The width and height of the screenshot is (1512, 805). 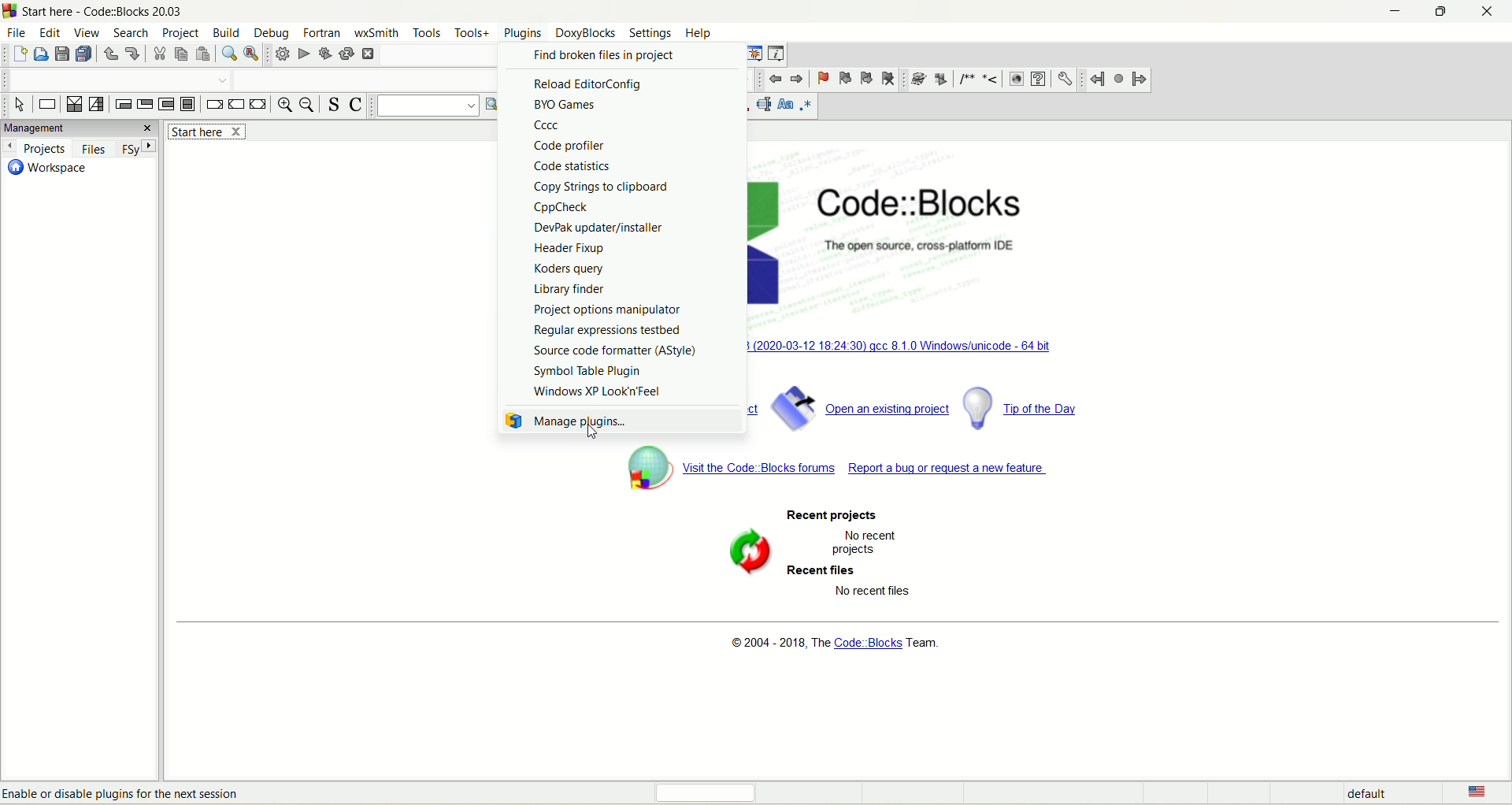 I want to click on symbol table plugin, so click(x=593, y=370).